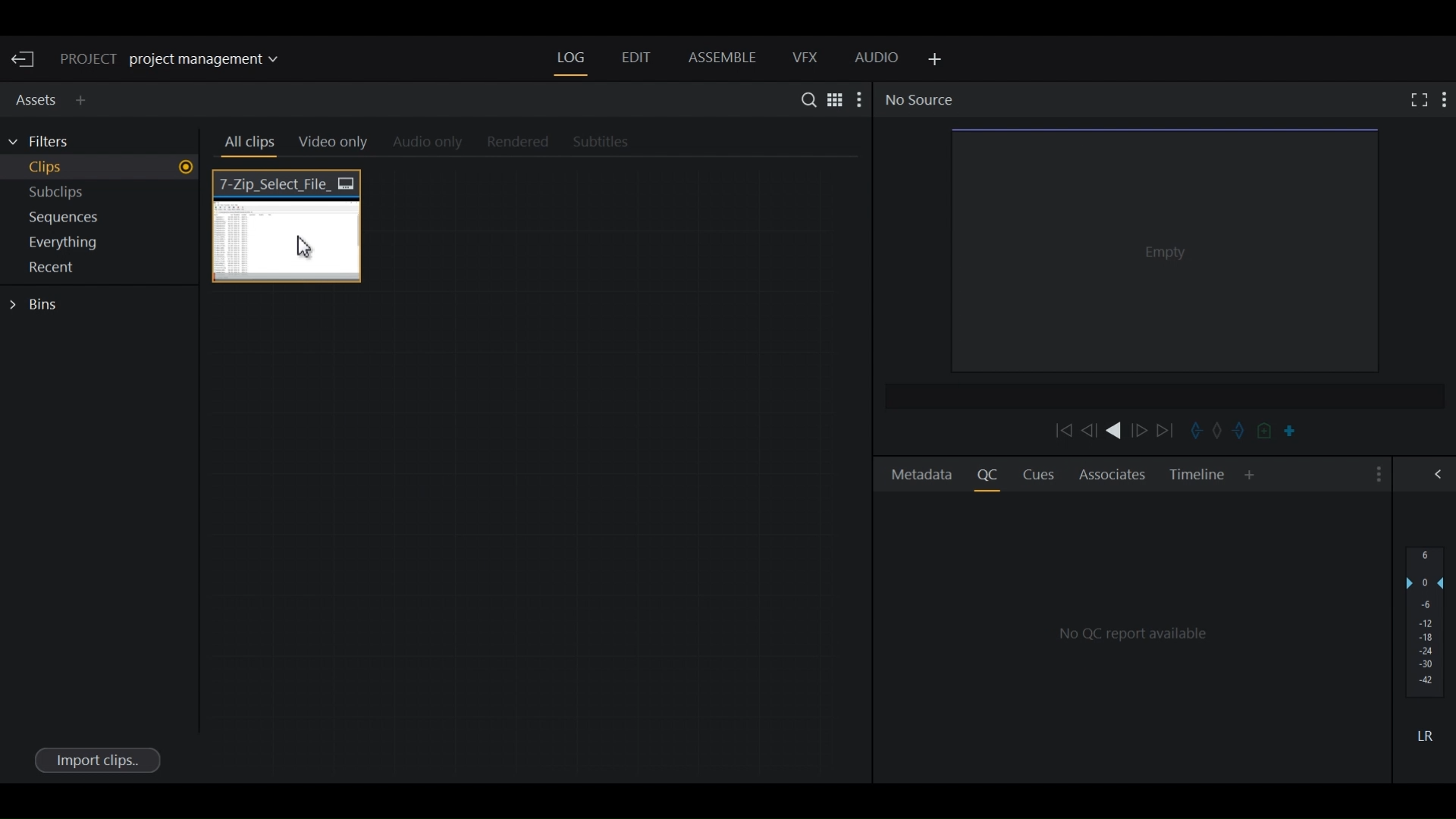 This screenshot has width=1456, height=819. Describe the element at coordinates (1291, 432) in the screenshot. I see `` at that location.